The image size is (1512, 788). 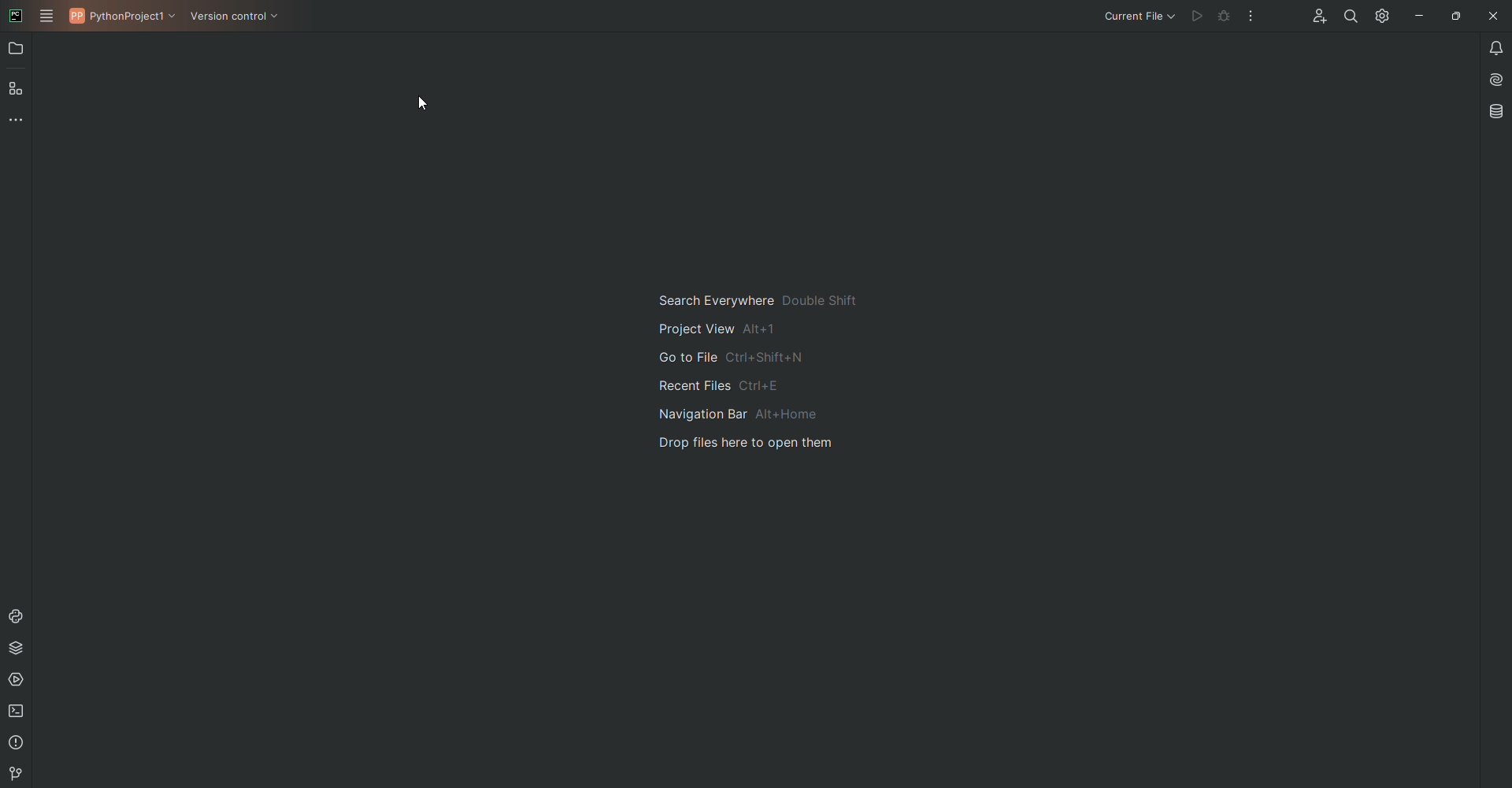 What do you see at coordinates (21, 651) in the screenshot?
I see `Packages` at bounding box center [21, 651].